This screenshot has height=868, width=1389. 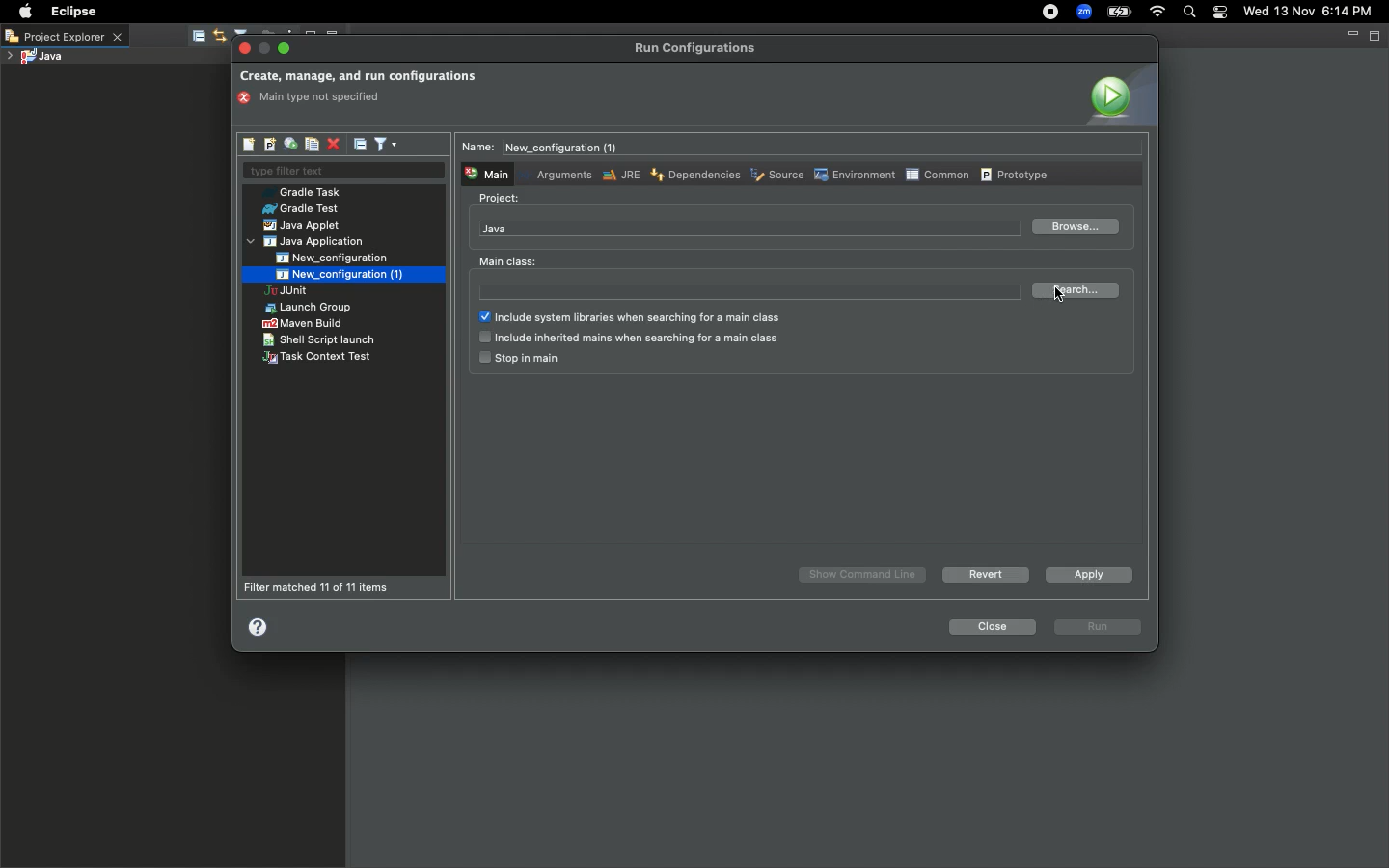 I want to click on Recording, so click(x=1049, y=12).